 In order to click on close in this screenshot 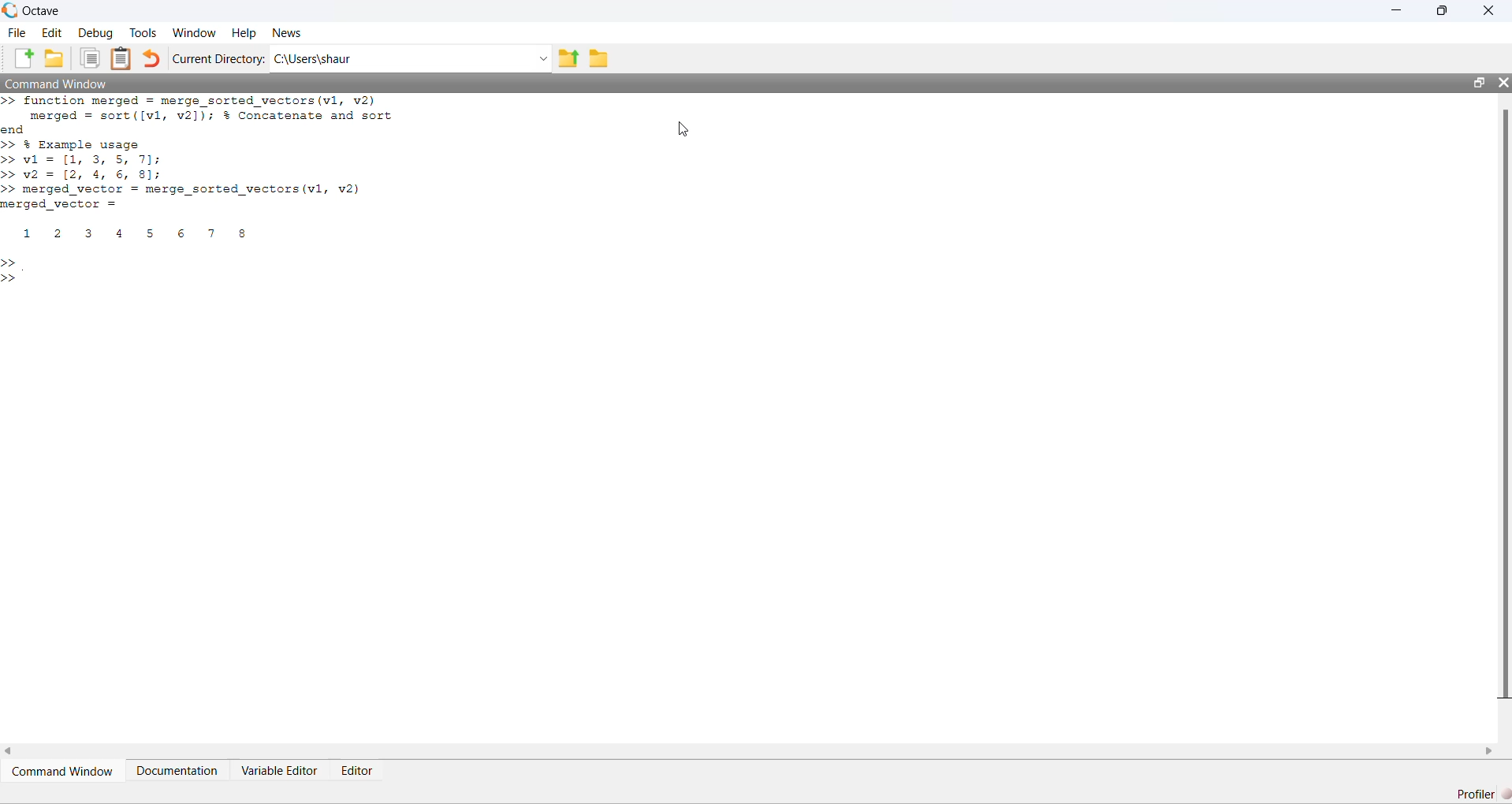, I will do `click(1488, 9)`.